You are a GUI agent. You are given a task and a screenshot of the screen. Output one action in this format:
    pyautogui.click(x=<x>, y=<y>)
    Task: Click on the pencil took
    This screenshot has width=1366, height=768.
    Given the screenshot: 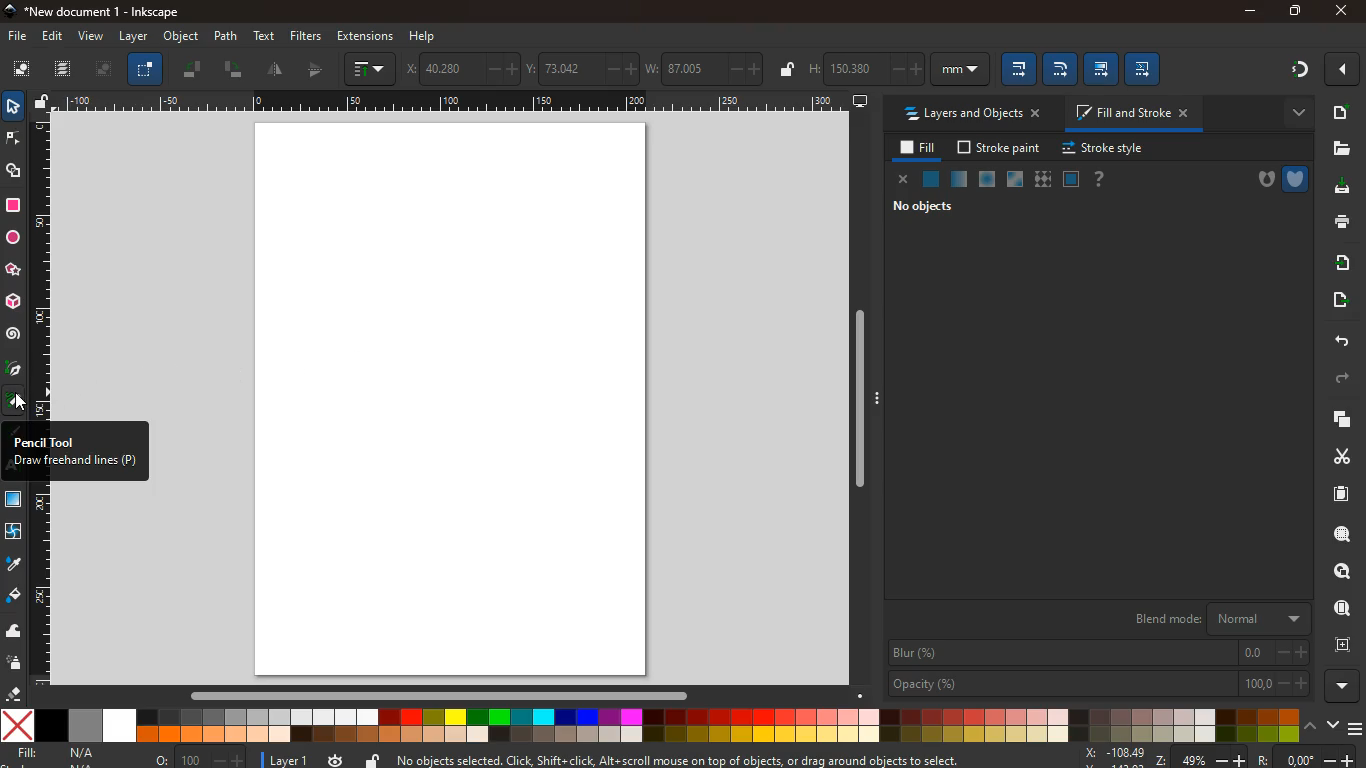 What is the action you would take?
    pyautogui.click(x=15, y=400)
    